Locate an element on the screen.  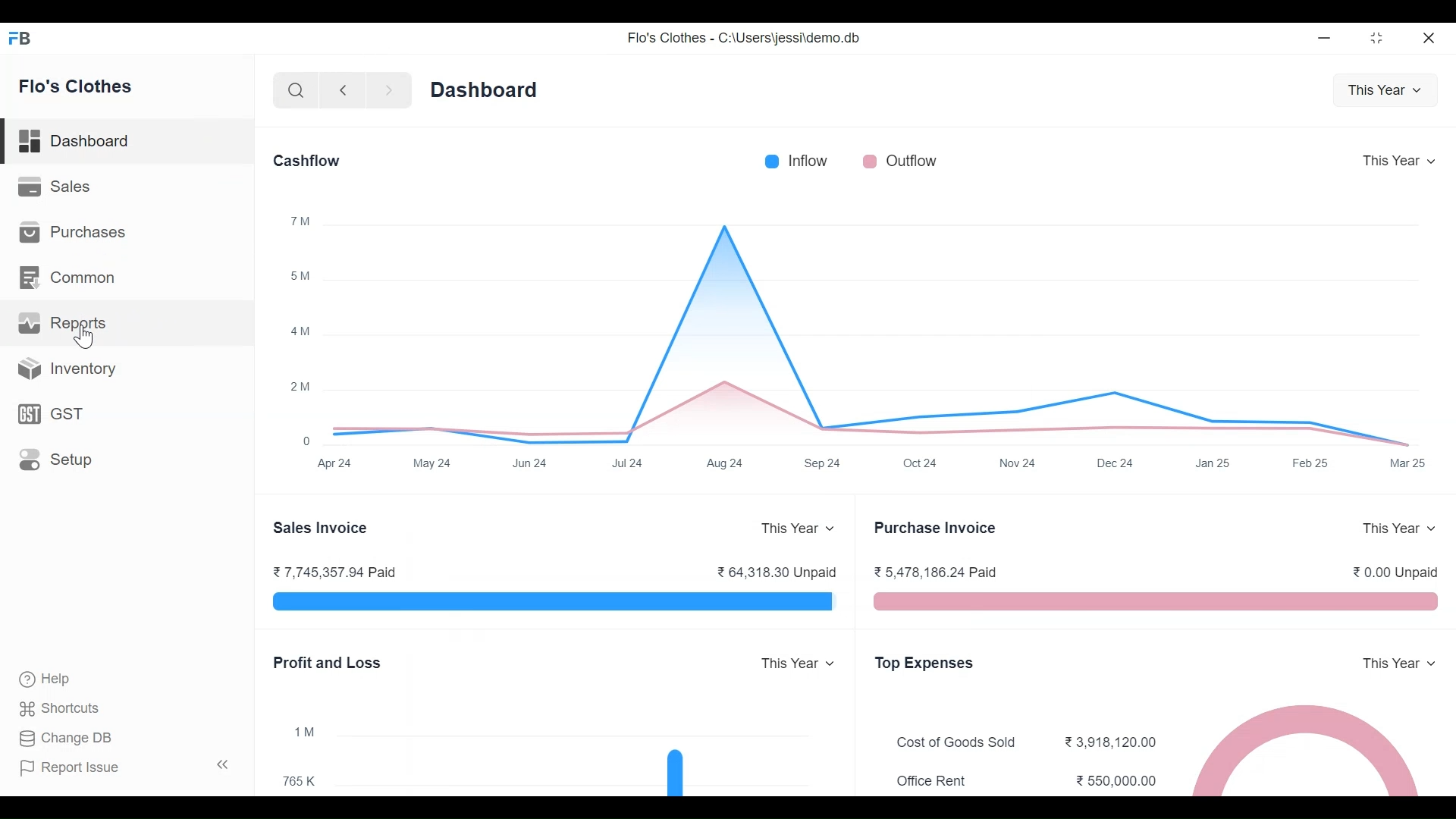
This Year  is located at coordinates (1401, 664).